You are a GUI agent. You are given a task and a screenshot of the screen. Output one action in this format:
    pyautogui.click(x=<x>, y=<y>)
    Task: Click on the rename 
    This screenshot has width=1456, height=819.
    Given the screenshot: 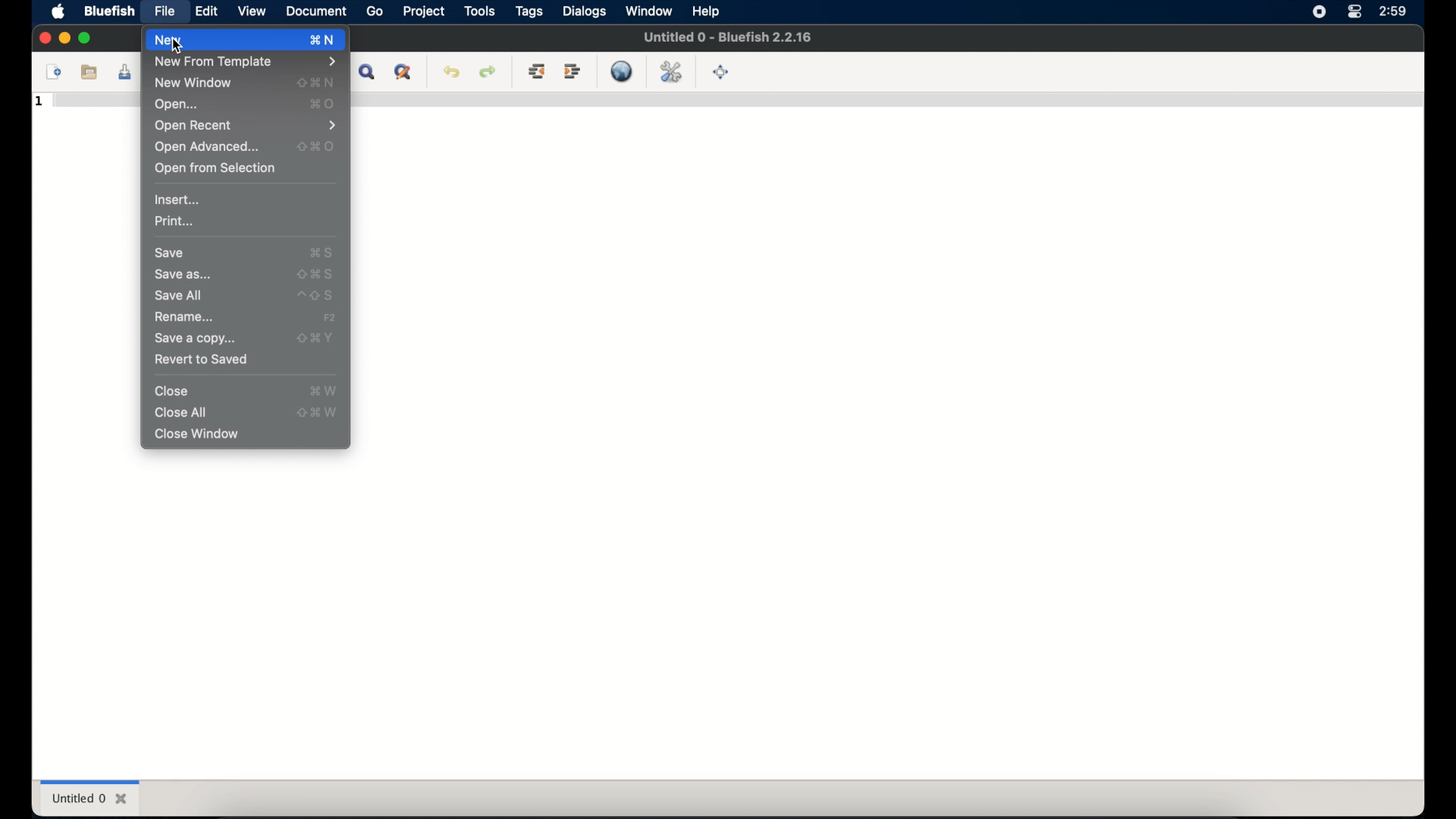 What is the action you would take?
    pyautogui.click(x=186, y=317)
    